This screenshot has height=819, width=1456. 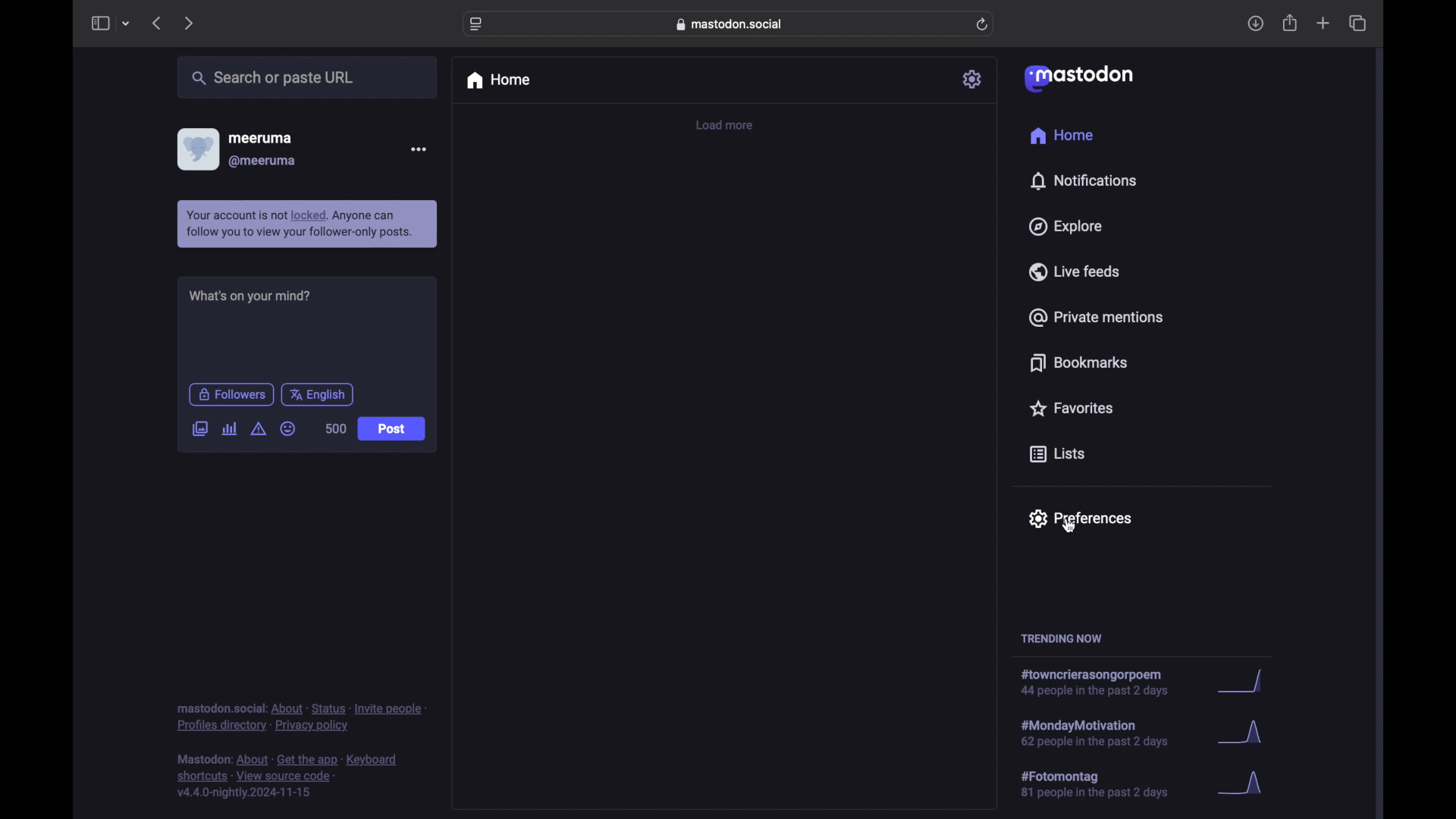 What do you see at coordinates (199, 429) in the screenshot?
I see `add image` at bounding box center [199, 429].